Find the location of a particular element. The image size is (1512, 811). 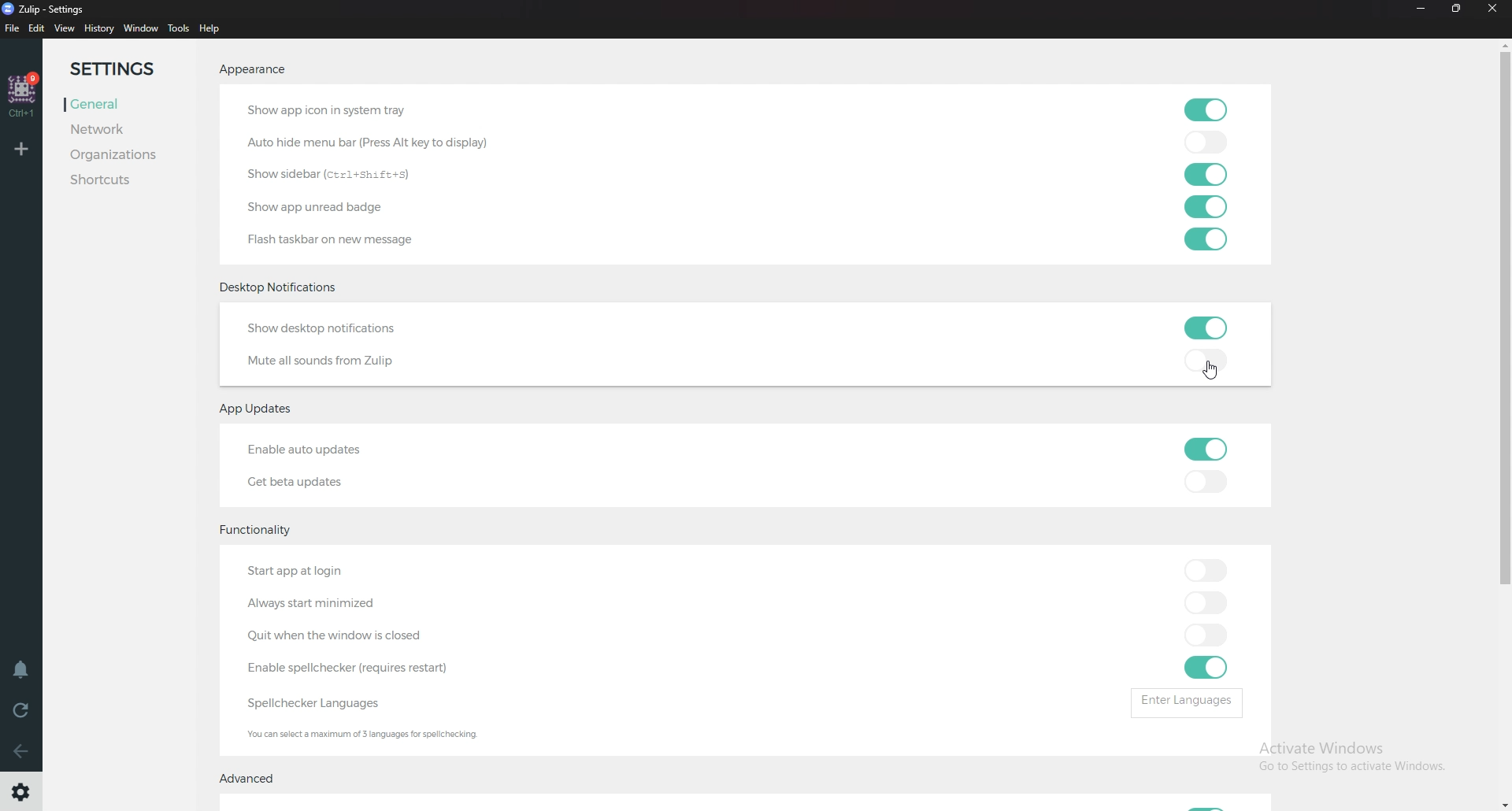

toggle is located at coordinates (1206, 450).